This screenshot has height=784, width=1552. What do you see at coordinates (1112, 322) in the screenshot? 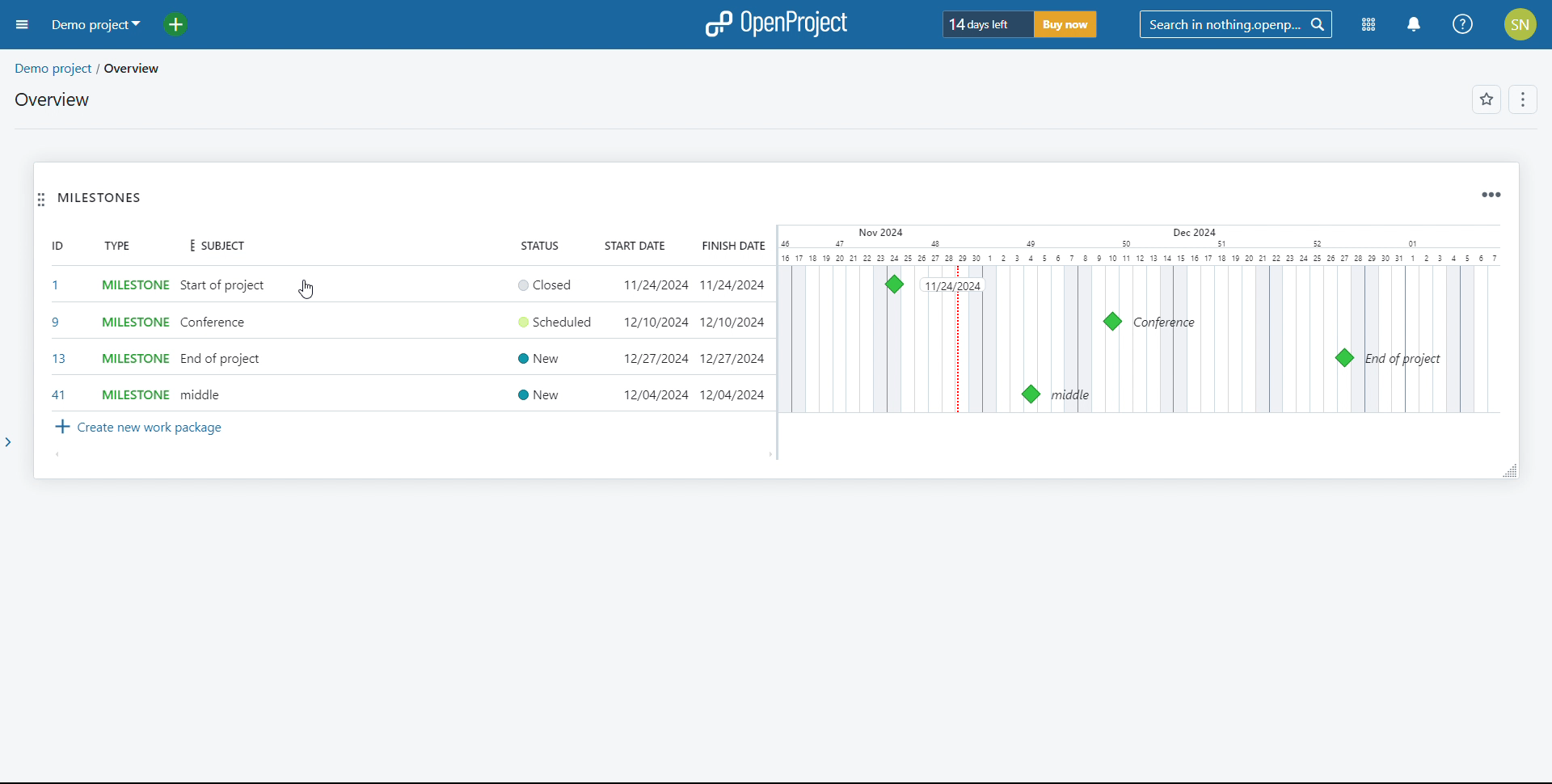
I see `milestone 9` at bounding box center [1112, 322].